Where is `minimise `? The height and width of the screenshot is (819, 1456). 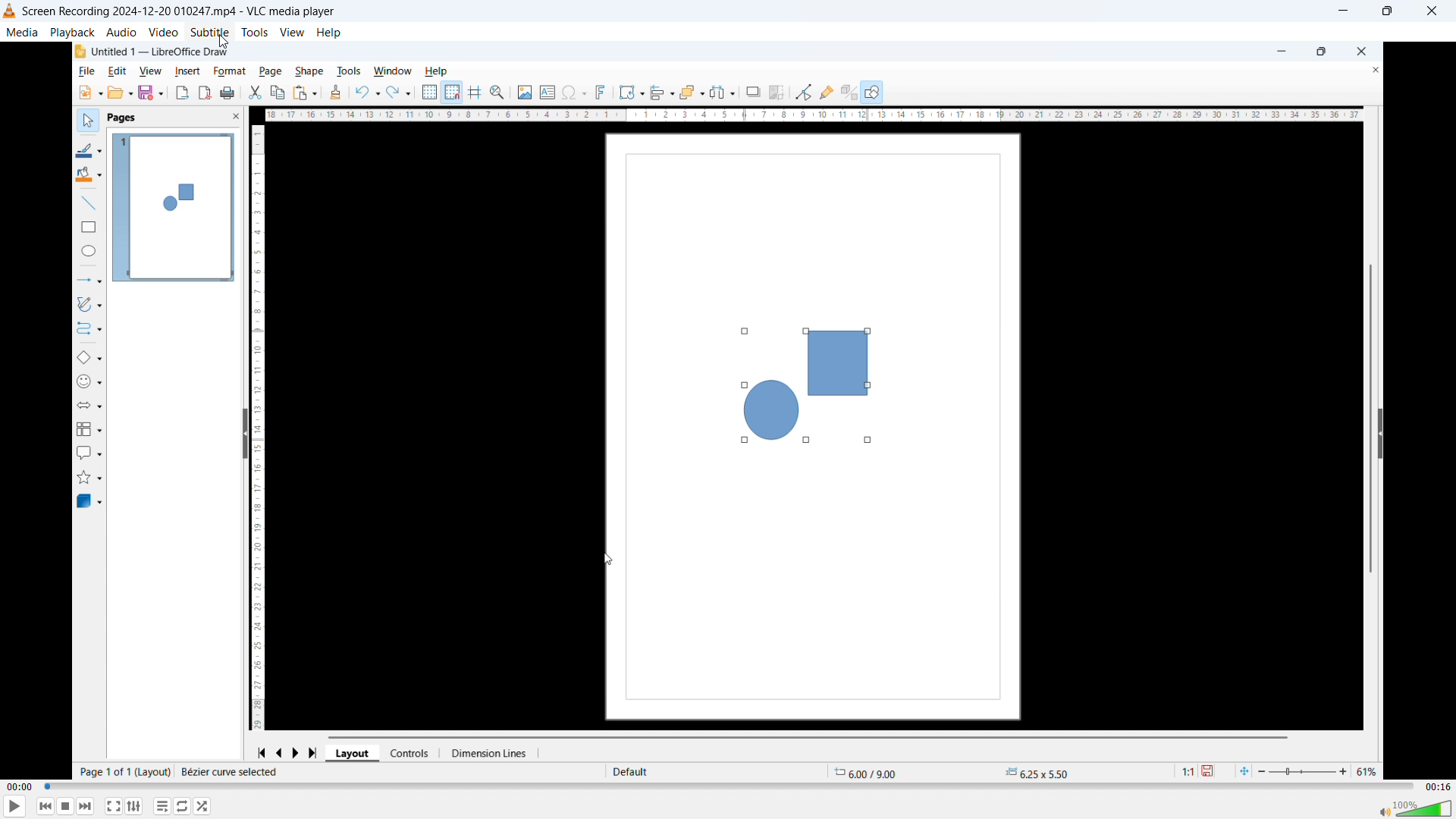
minimise  is located at coordinates (1341, 12).